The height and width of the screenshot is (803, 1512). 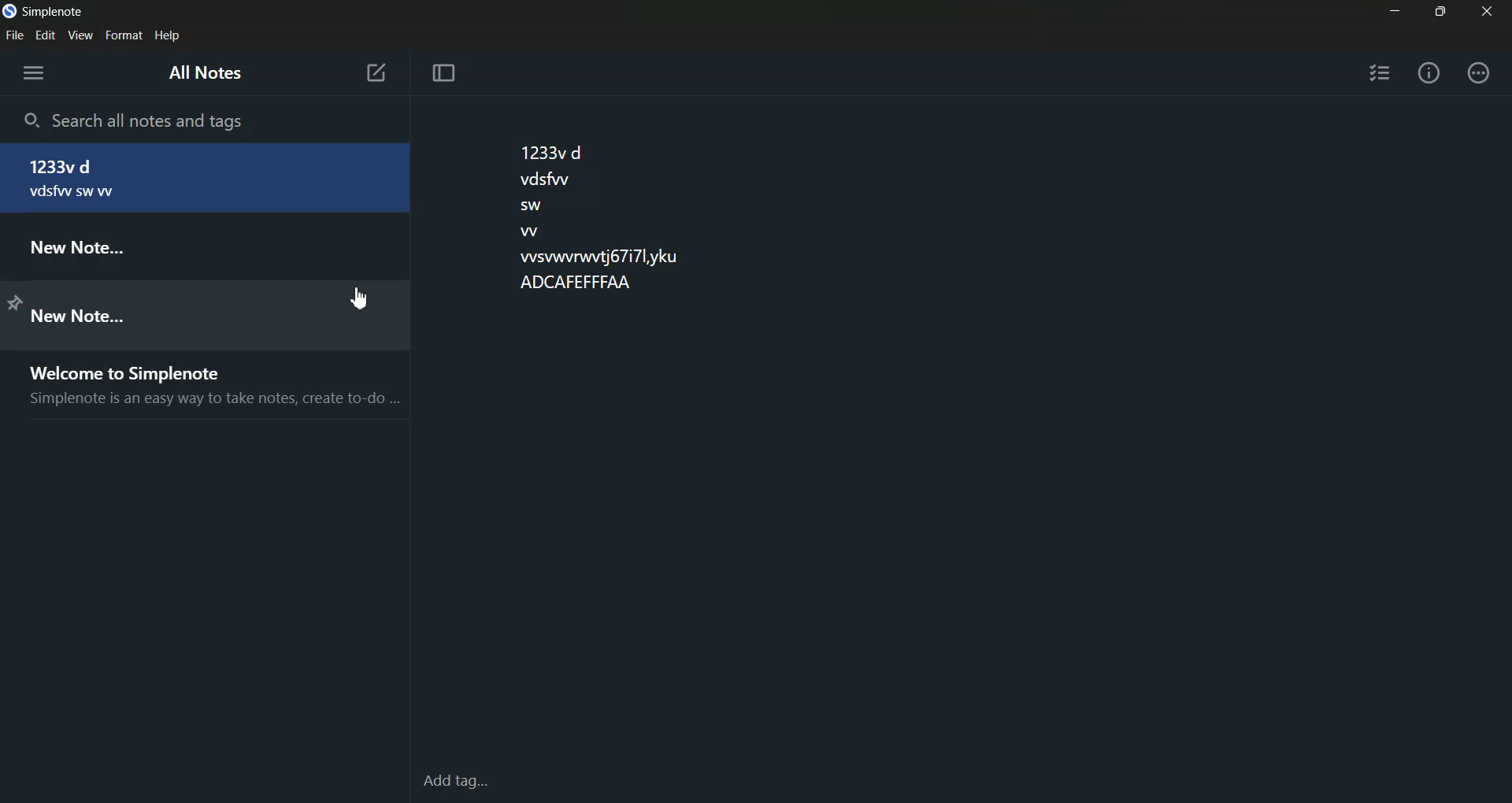 I want to click on Close, so click(x=1486, y=9).